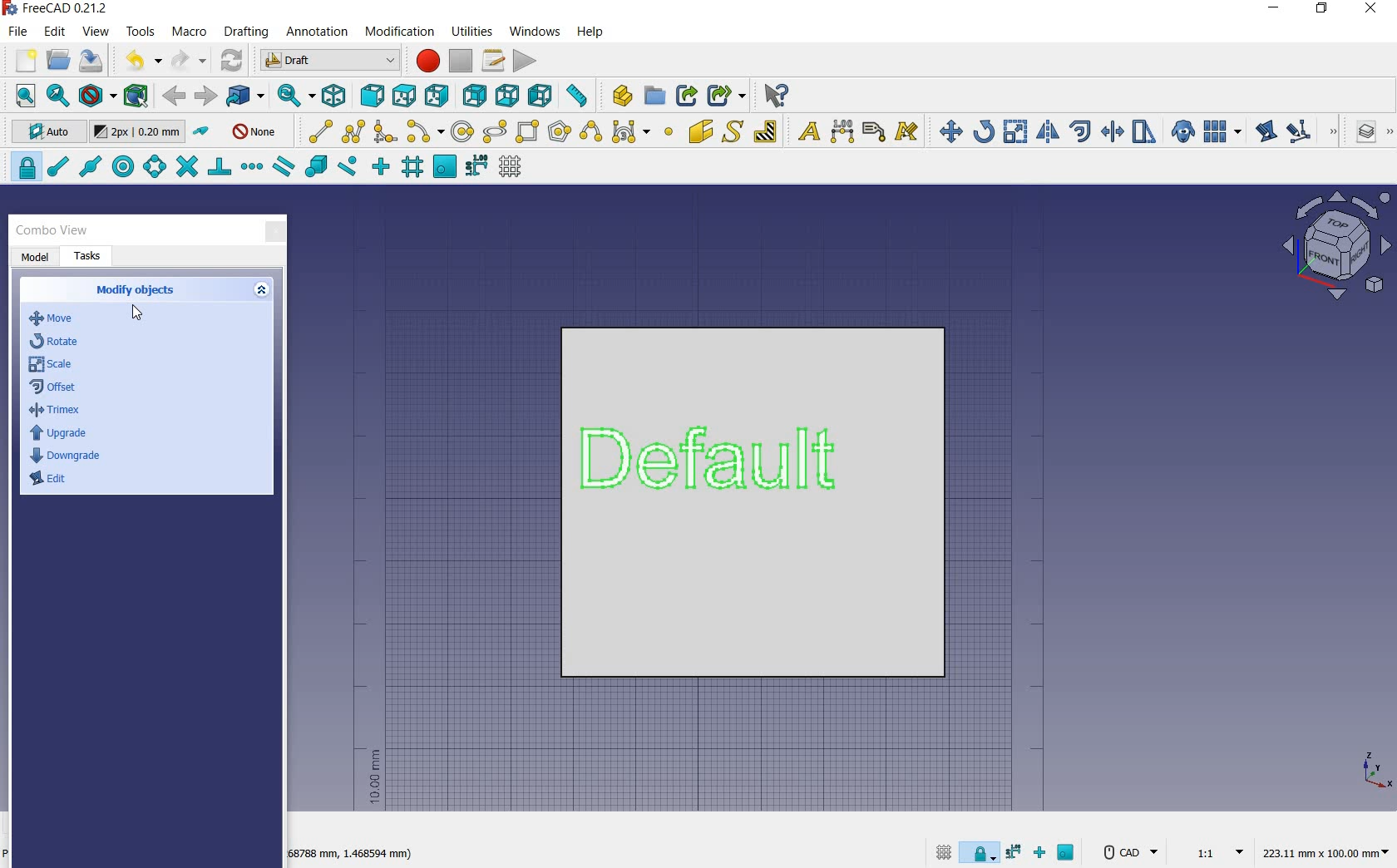  I want to click on edit, so click(1265, 133).